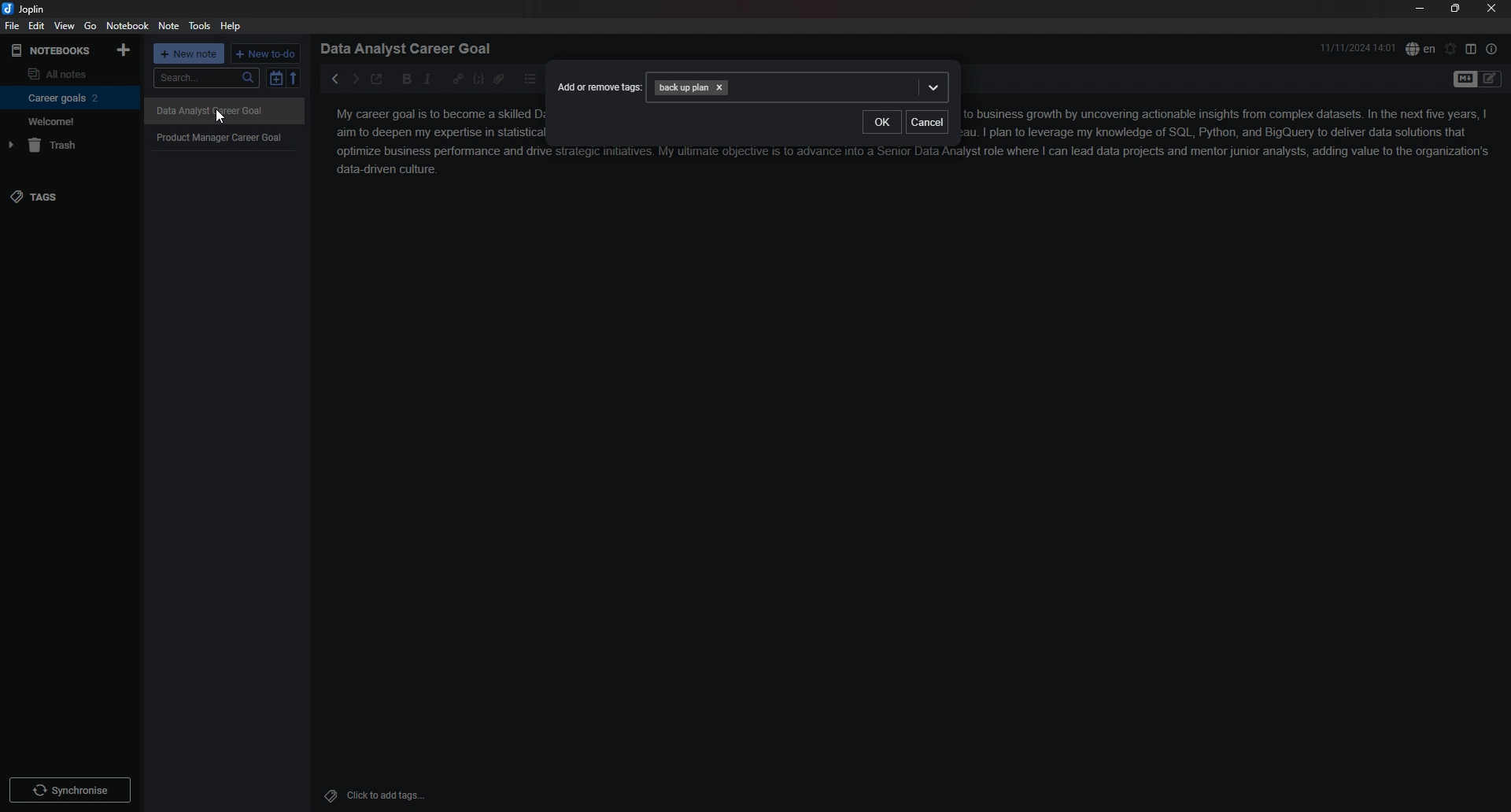  I want to click on file, so click(13, 25).